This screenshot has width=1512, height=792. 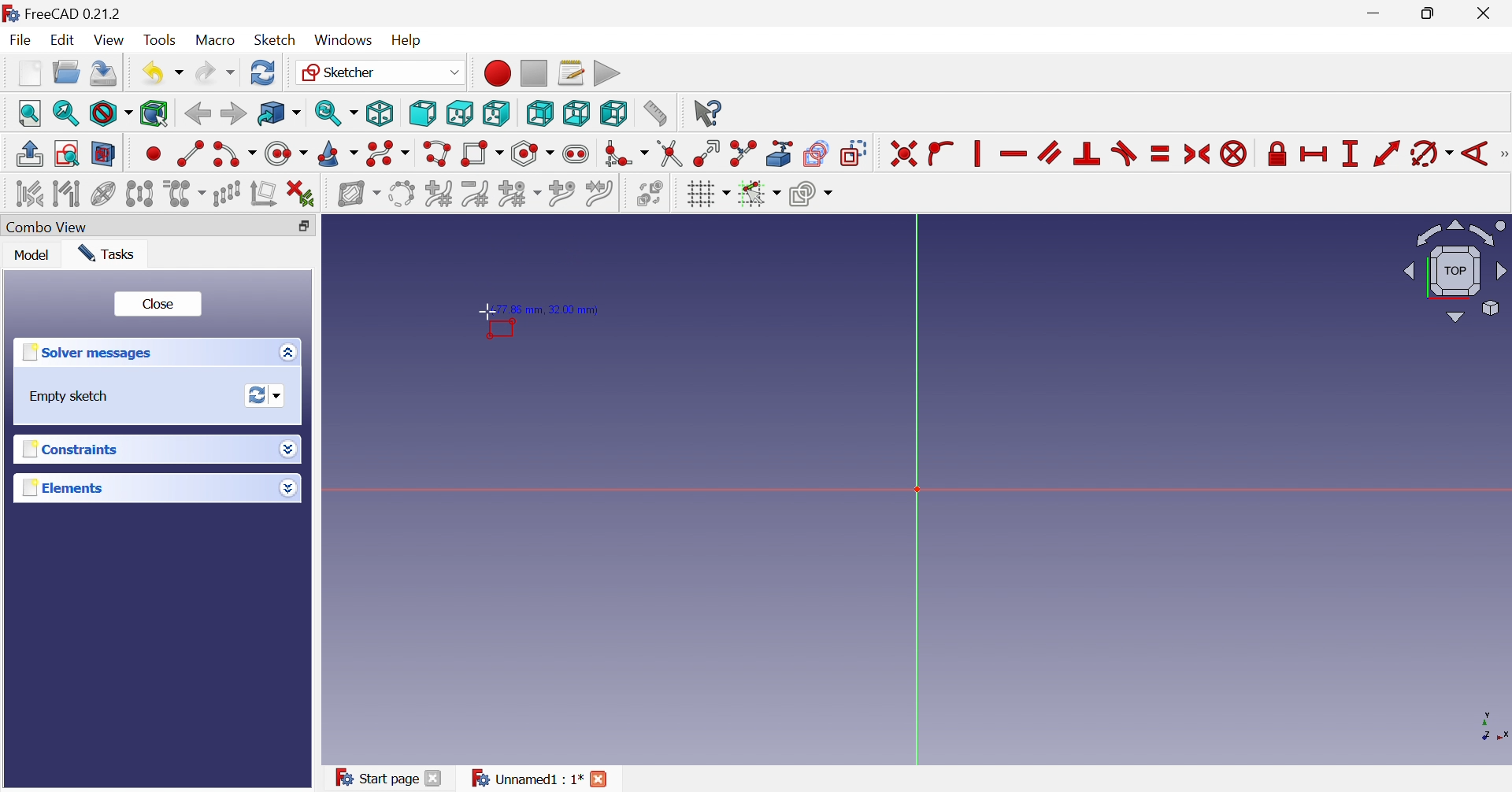 I want to click on Increase B-spline degree, so click(x=438, y=193).